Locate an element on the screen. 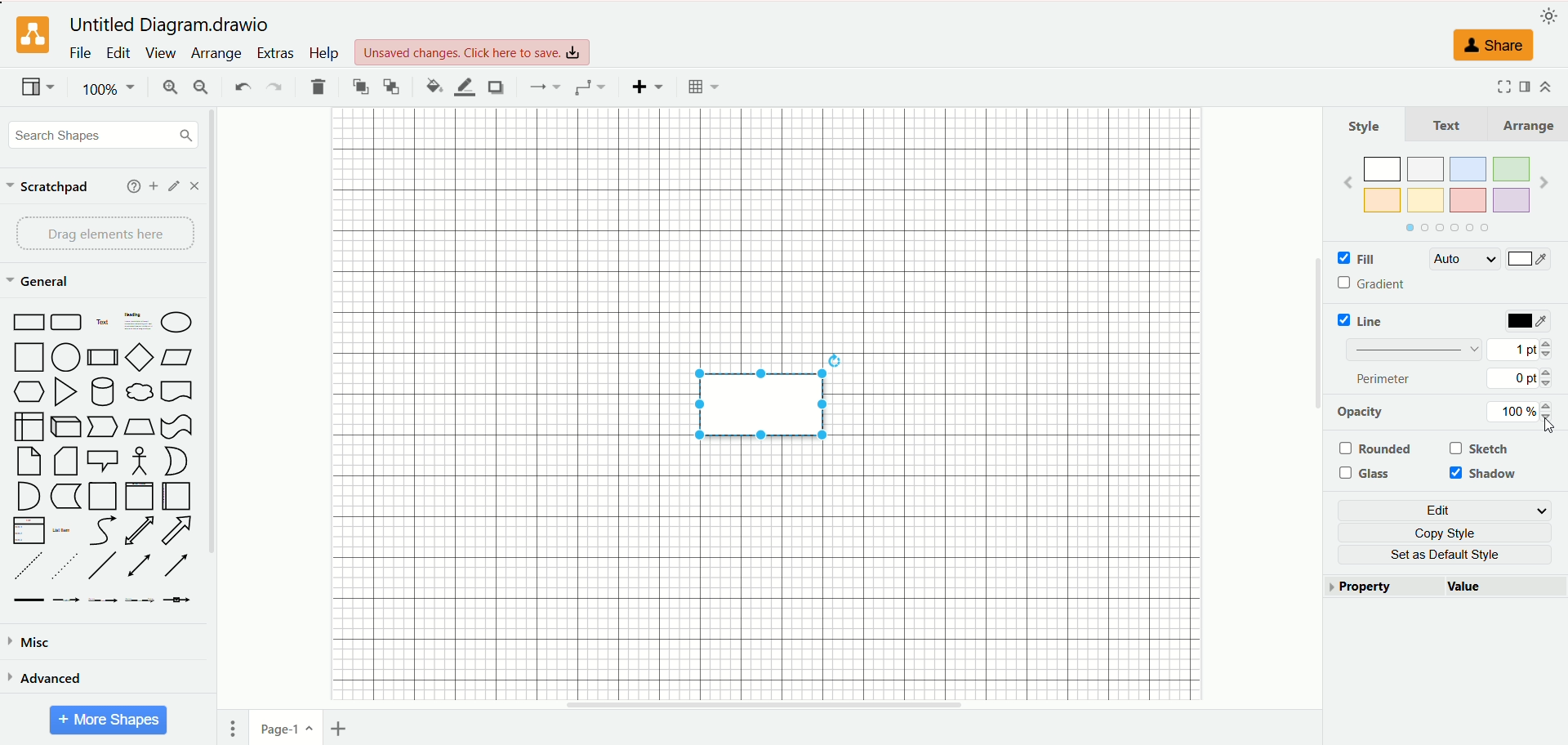 This screenshot has height=745, width=1568. fullscreen is located at coordinates (1501, 86).